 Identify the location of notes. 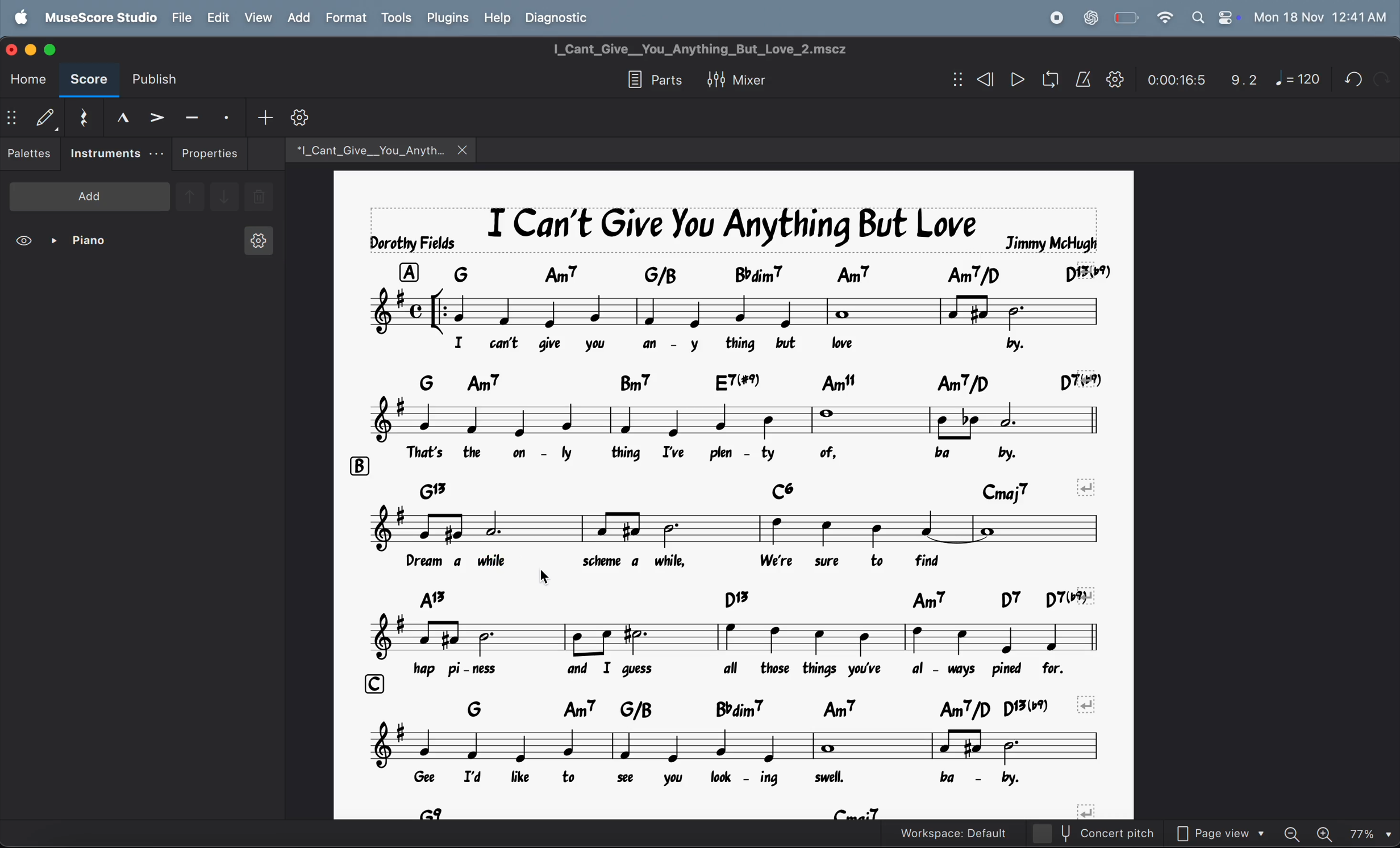
(731, 746).